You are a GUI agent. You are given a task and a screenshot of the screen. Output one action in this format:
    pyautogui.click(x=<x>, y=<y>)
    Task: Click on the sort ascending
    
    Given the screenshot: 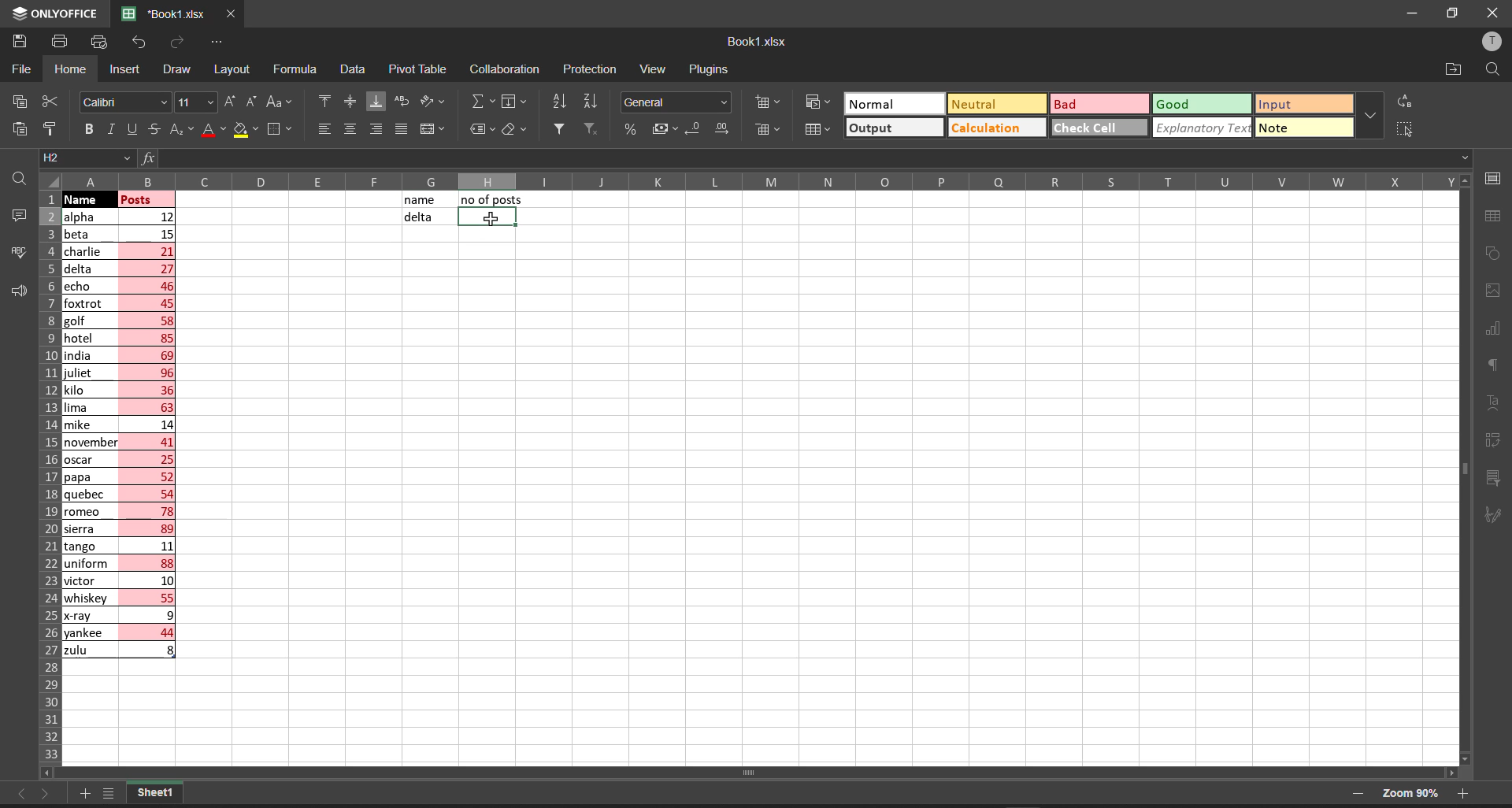 What is the action you would take?
    pyautogui.click(x=561, y=102)
    